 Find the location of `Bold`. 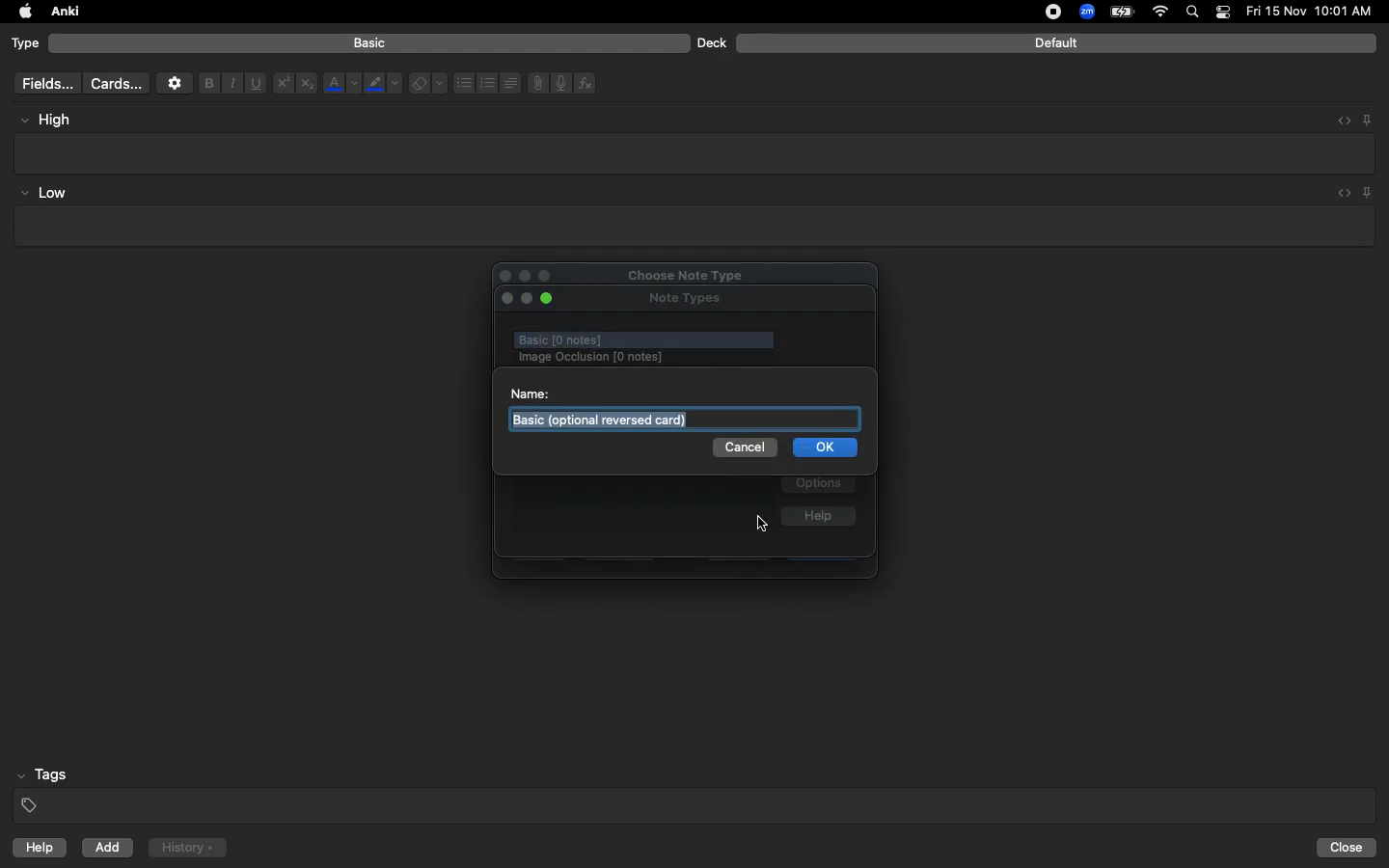

Bold is located at coordinates (207, 82).